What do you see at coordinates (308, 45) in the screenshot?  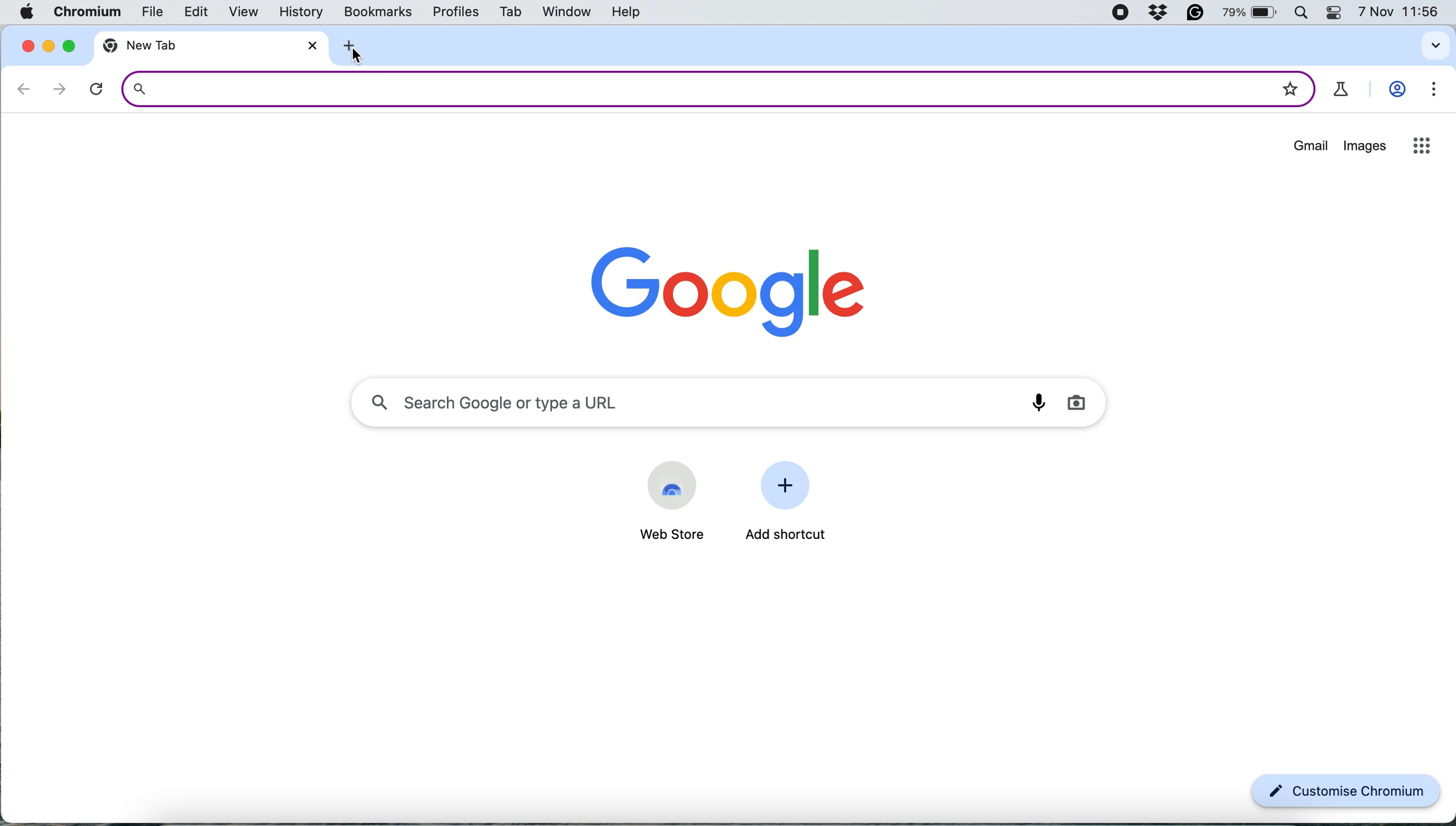 I see `close` at bounding box center [308, 45].